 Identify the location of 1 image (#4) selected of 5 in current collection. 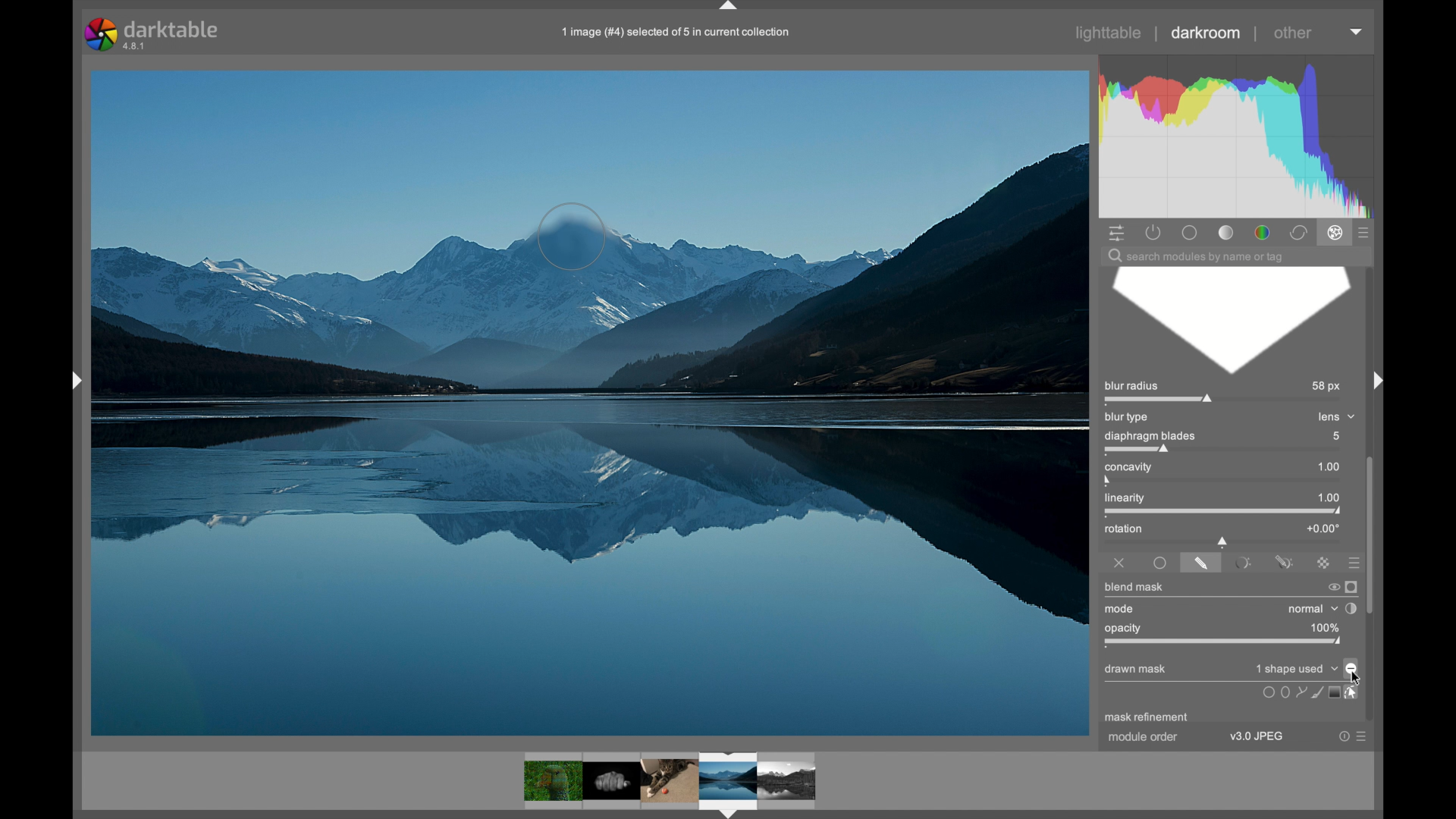
(676, 30).